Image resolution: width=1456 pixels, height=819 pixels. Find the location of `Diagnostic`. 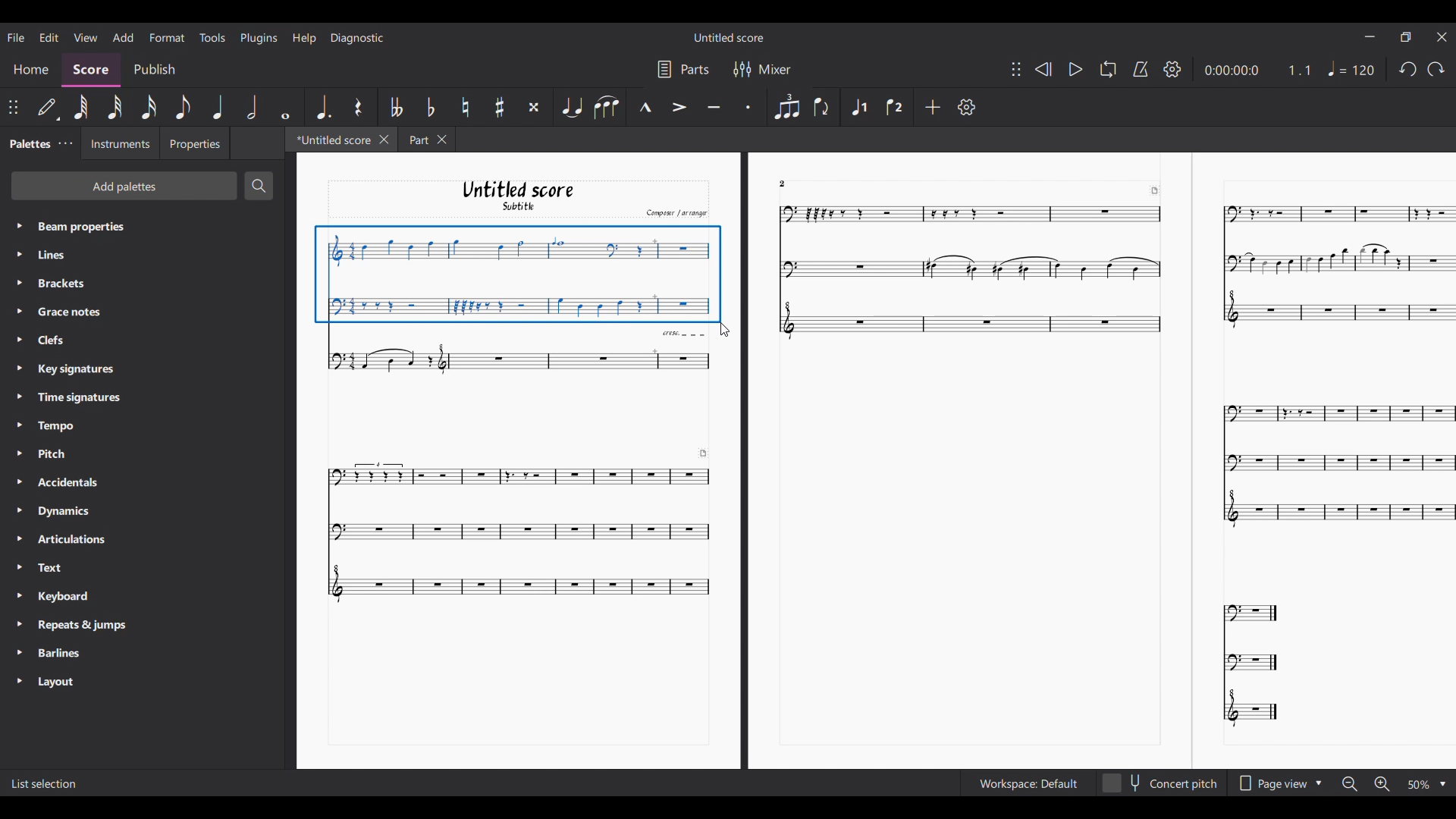

Diagnostic is located at coordinates (357, 38).